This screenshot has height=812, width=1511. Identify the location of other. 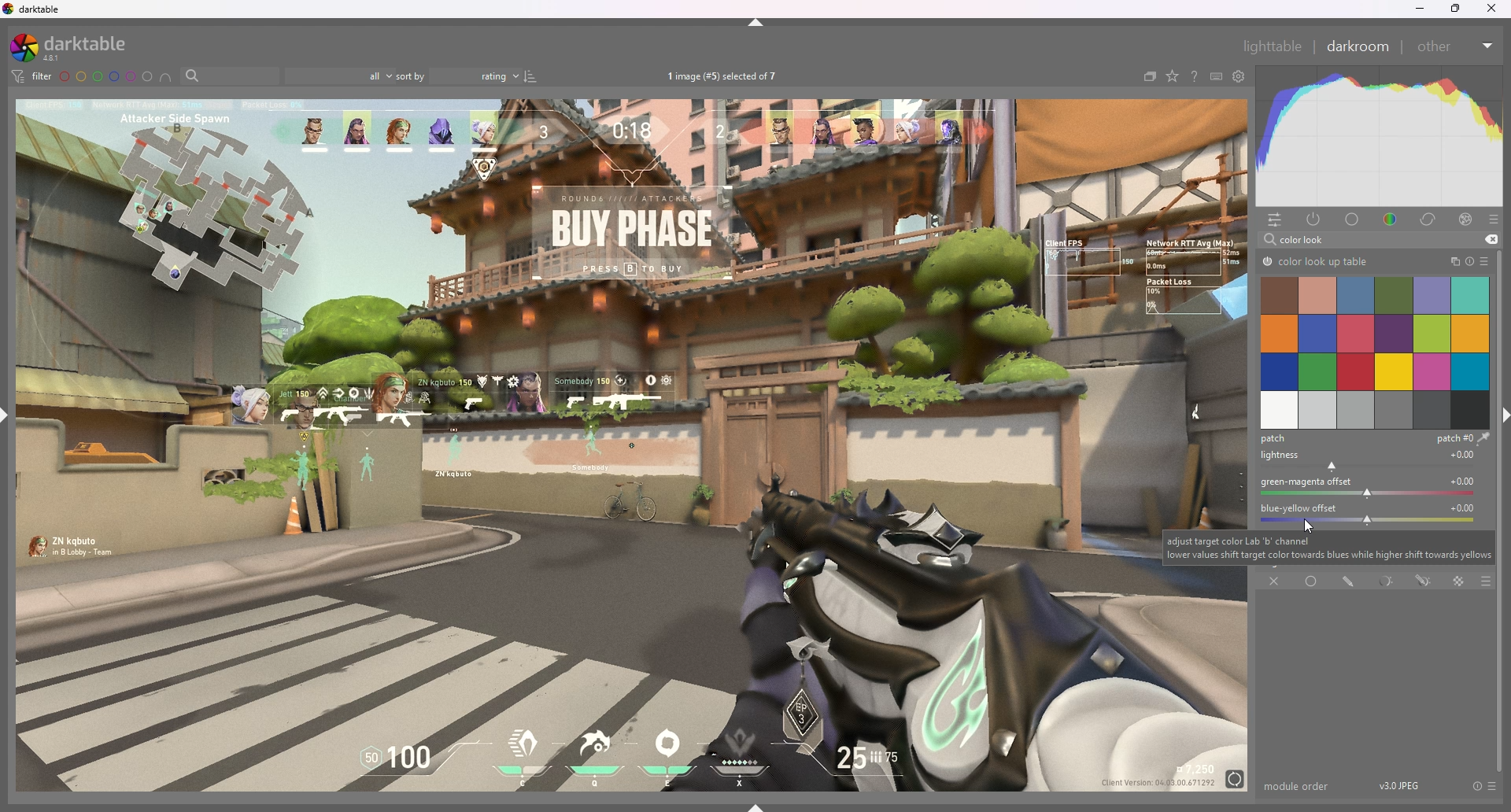
(1457, 46).